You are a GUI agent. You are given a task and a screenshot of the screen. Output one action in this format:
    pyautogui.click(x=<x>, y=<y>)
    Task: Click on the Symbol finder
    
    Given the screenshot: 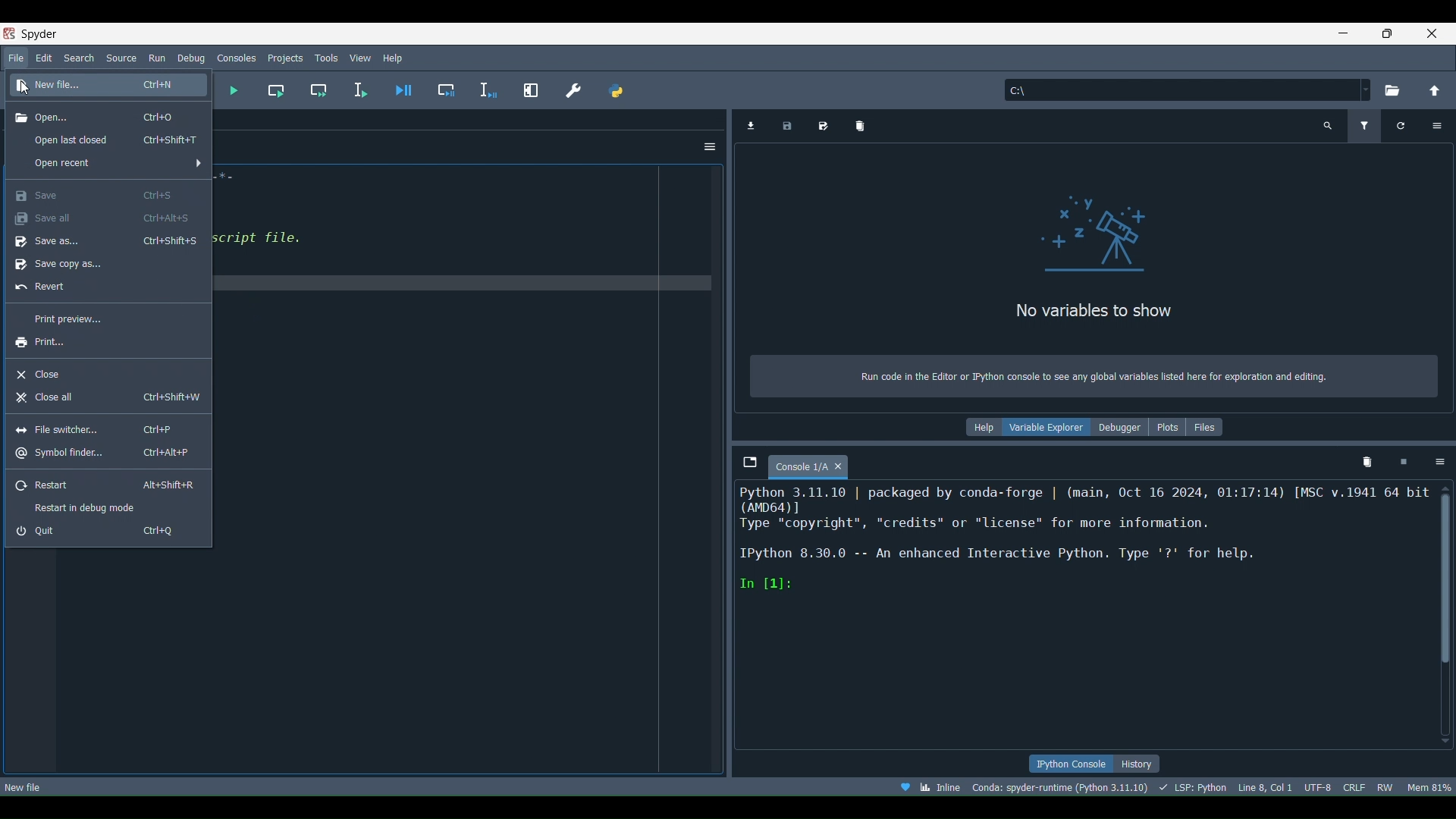 What is the action you would take?
    pyautogui.click(x=103, y=453)
    